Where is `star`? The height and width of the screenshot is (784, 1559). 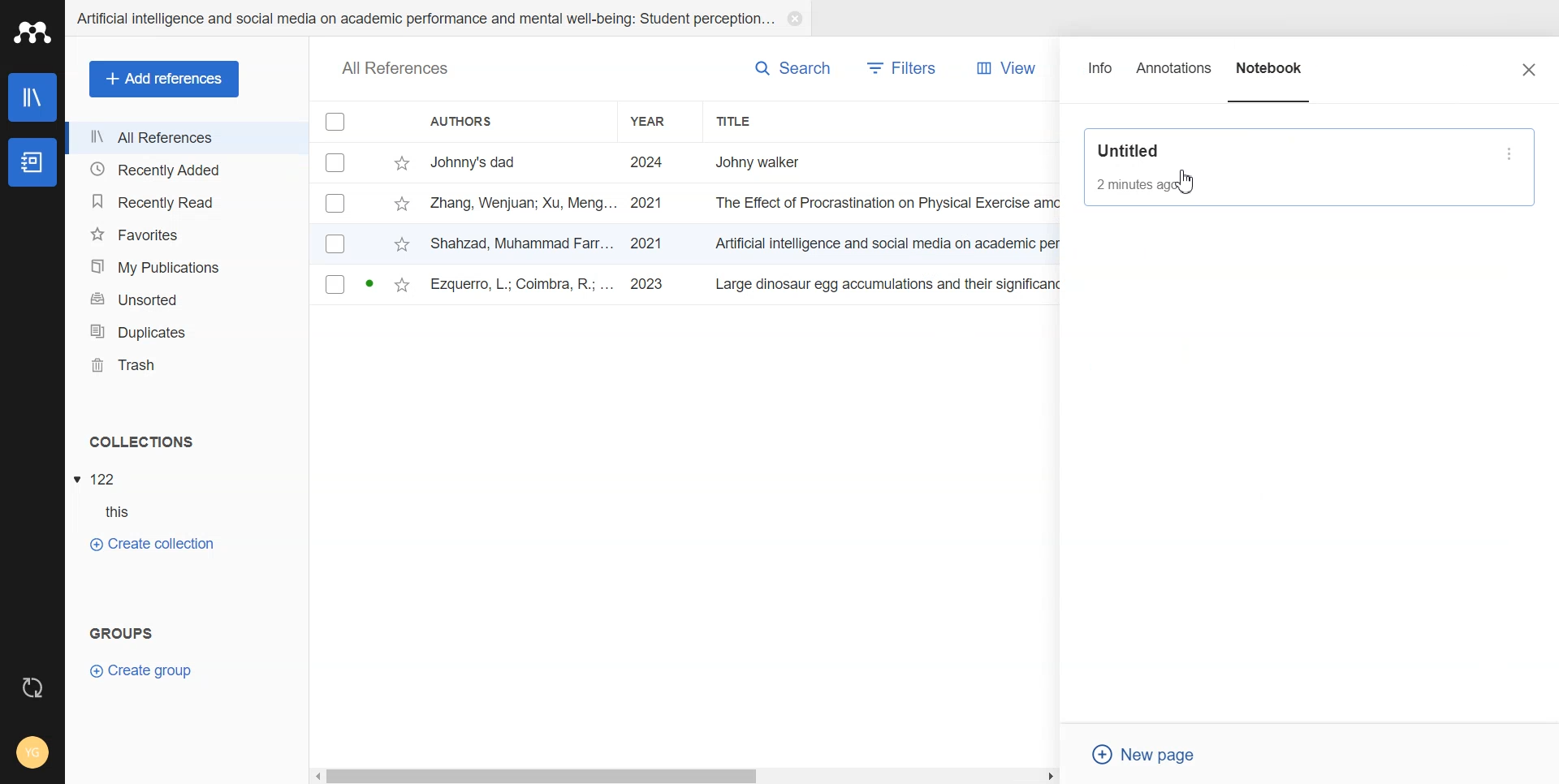
star is located at coordinates (402, 246).